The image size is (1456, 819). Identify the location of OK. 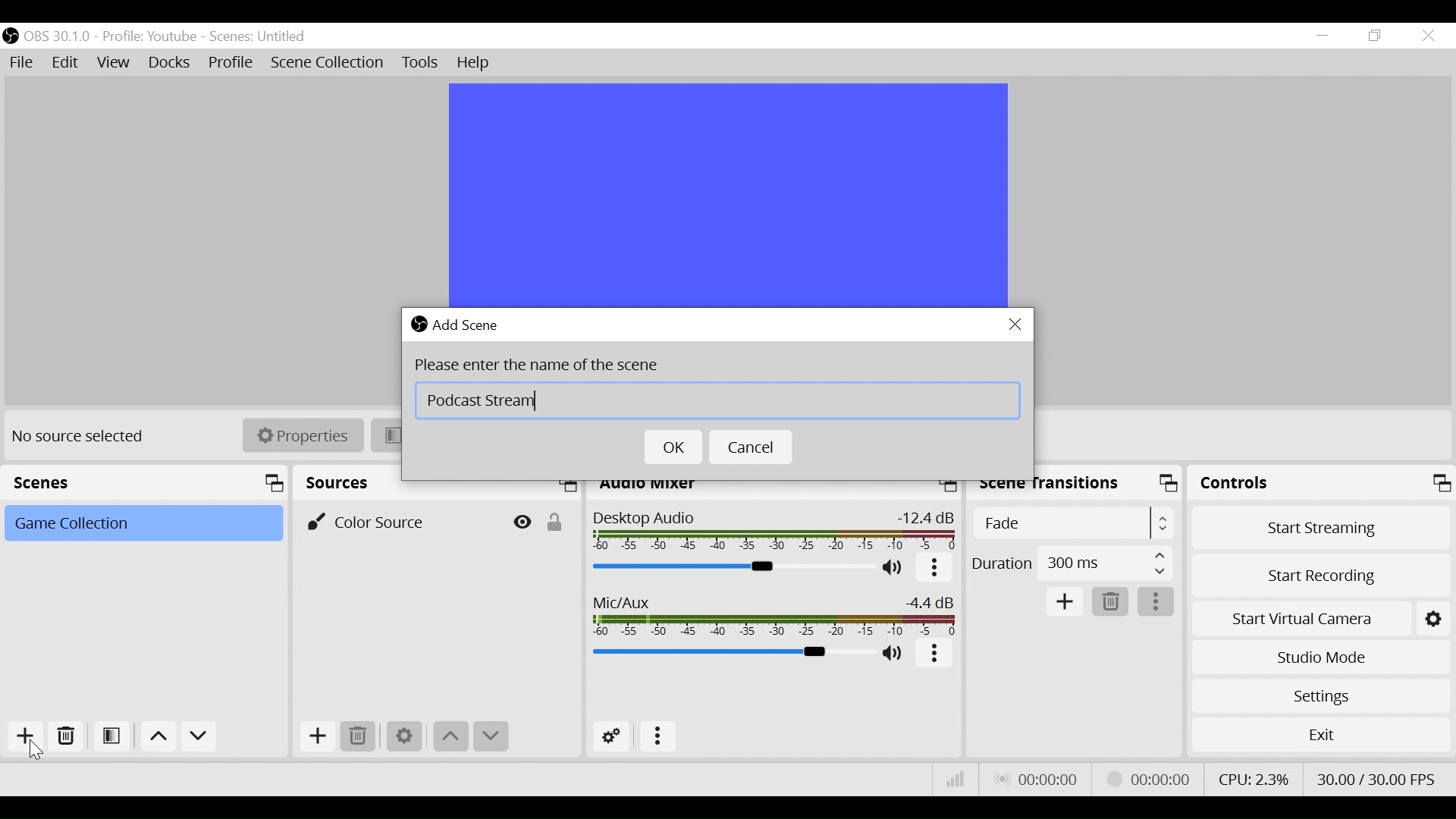
(674, 447).